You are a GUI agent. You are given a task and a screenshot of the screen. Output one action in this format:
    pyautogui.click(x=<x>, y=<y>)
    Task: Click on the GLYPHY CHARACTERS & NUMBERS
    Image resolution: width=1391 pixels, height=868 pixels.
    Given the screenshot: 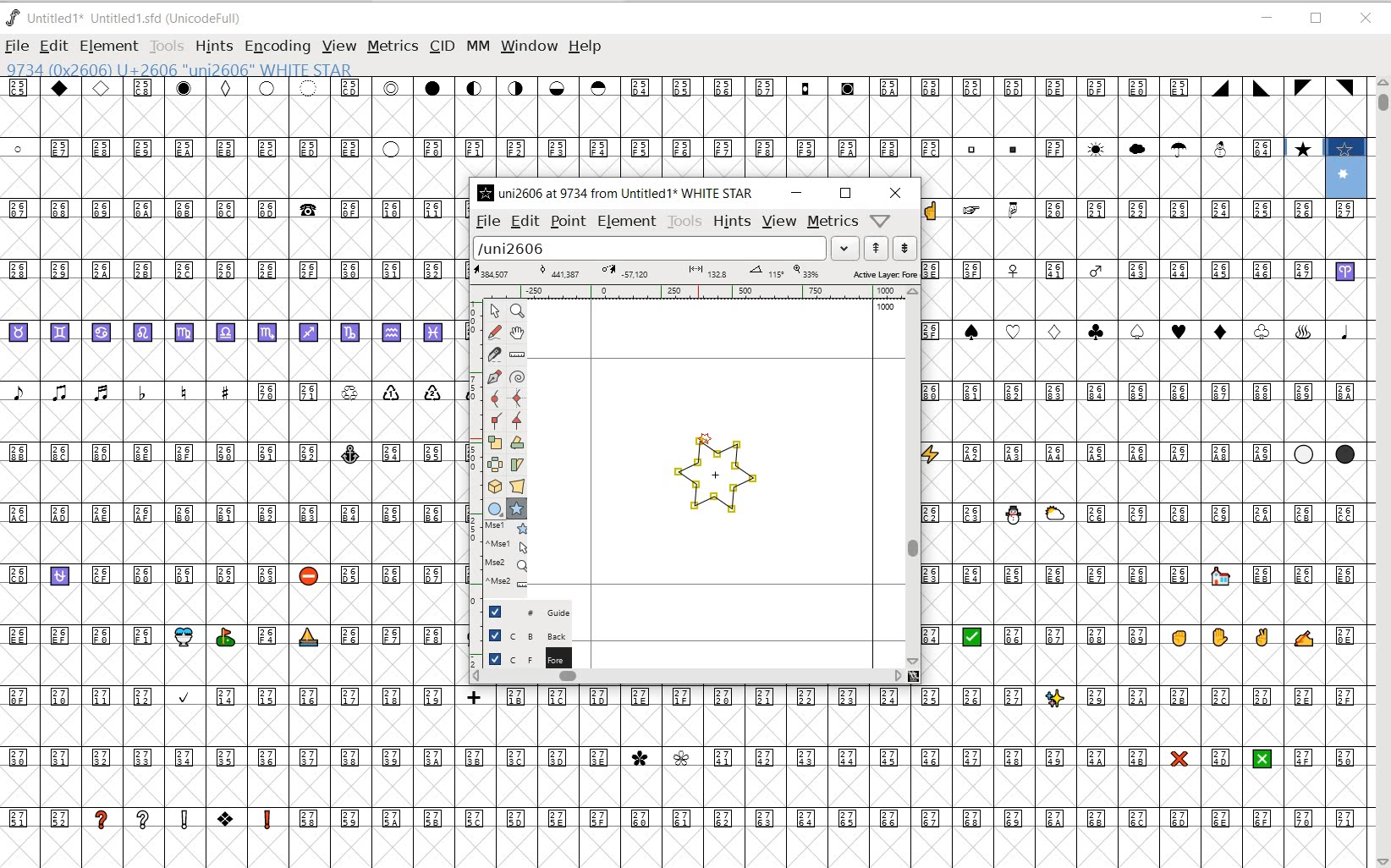 What is the action you would take?
    pyautogui.click(x=1144, y=684)
    